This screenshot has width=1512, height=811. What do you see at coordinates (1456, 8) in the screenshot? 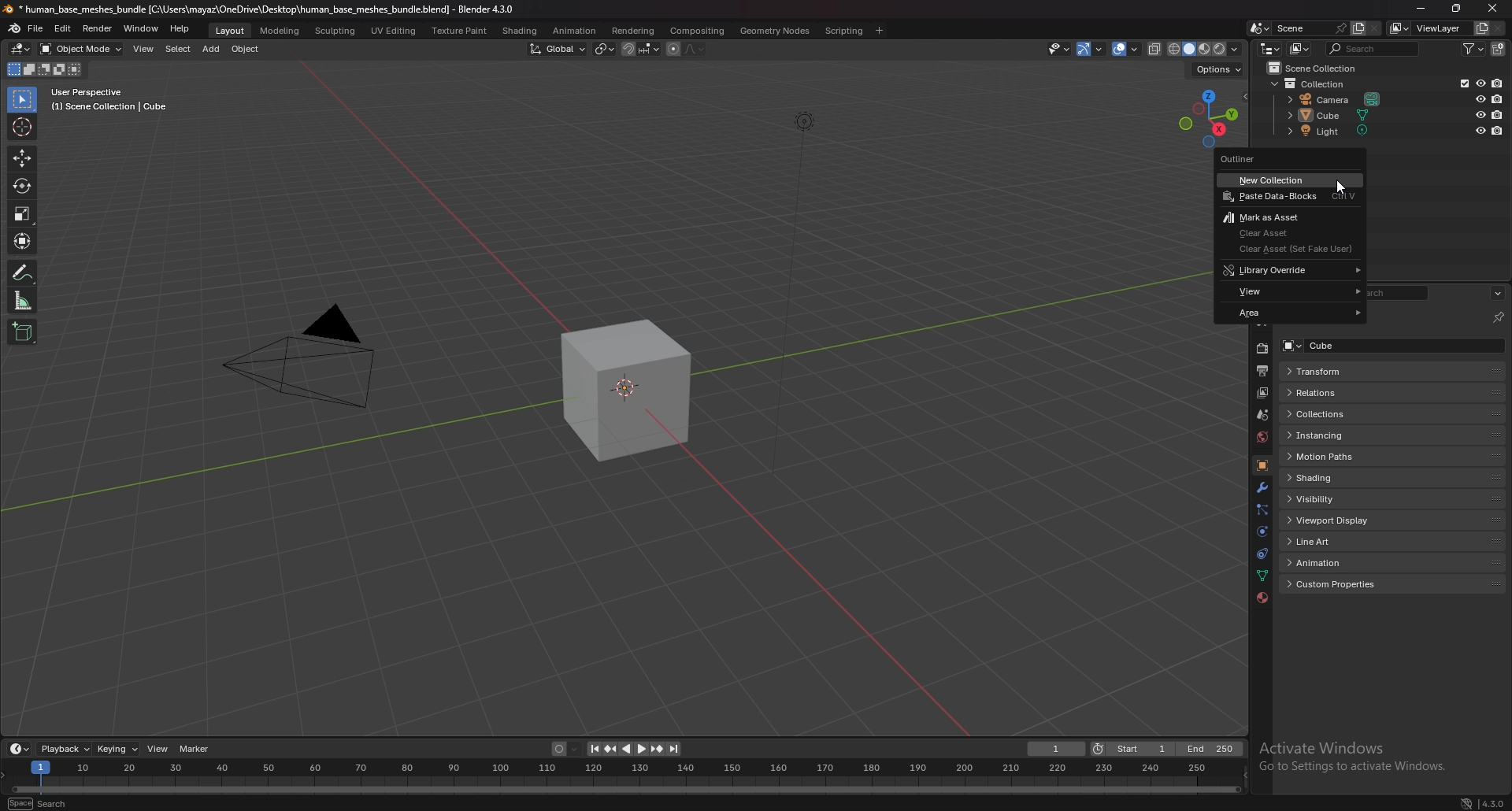
I see `resize` at bounding box center [1456, 8].